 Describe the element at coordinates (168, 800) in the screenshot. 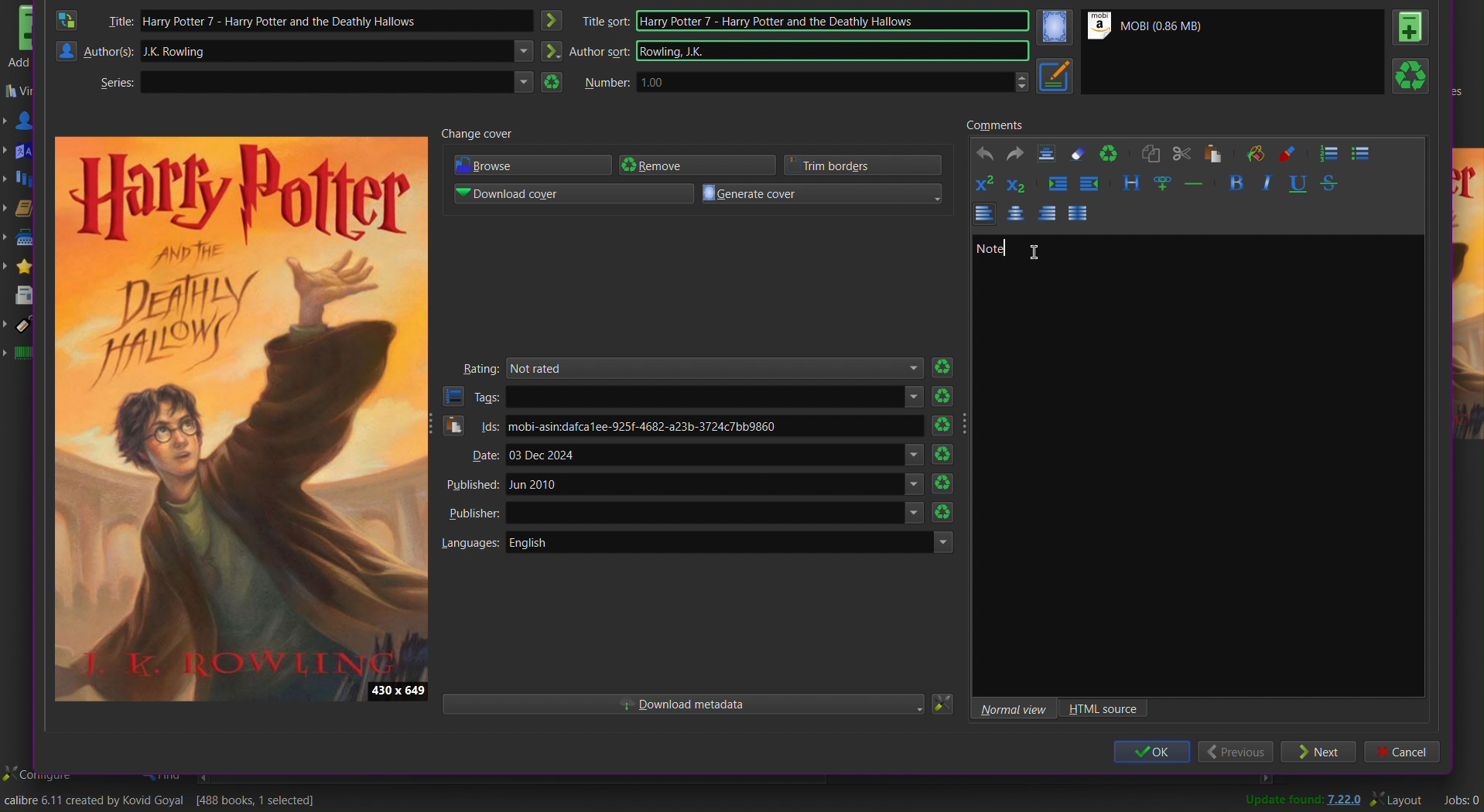

I see `Change the title/author/cover` at that location.